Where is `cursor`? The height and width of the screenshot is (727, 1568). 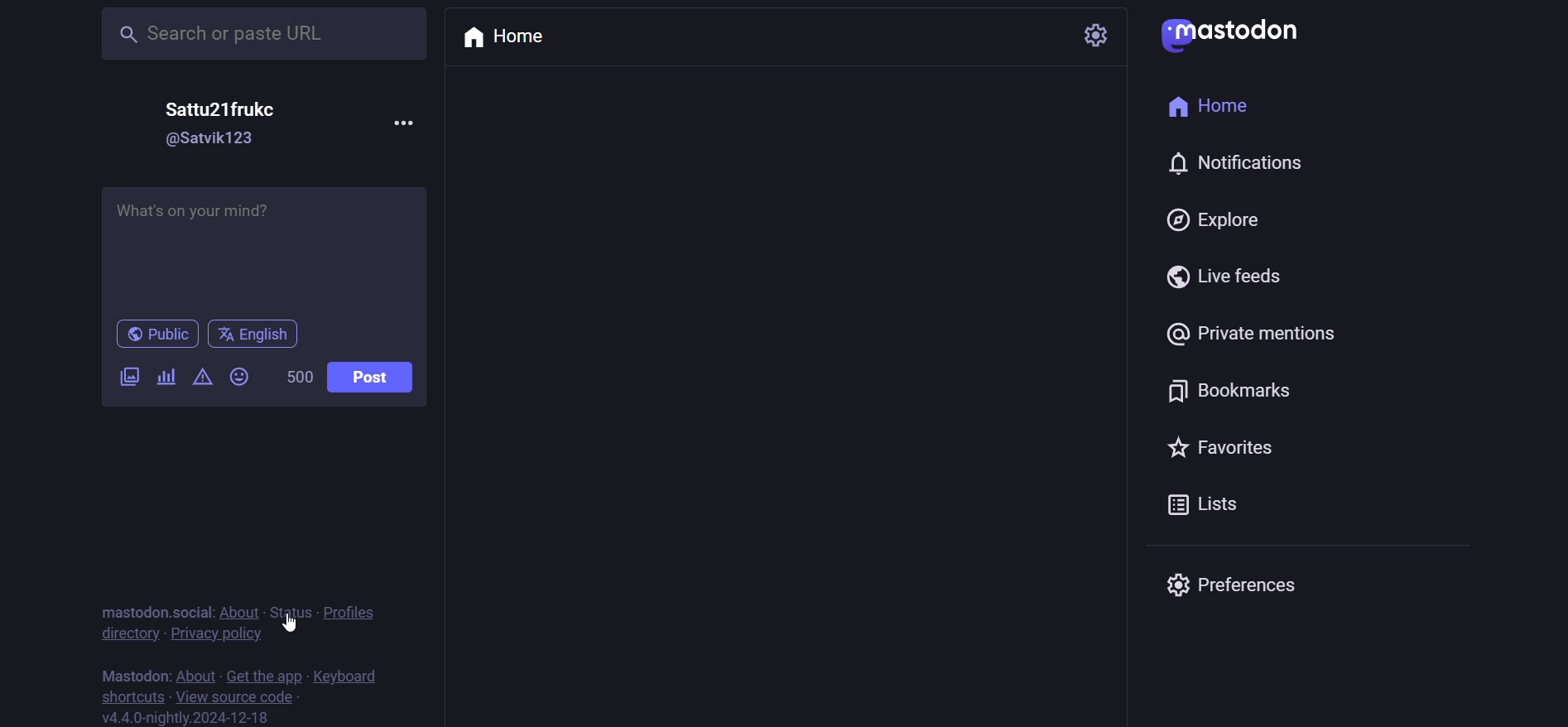 cursor is located at coordinates (294, 623).